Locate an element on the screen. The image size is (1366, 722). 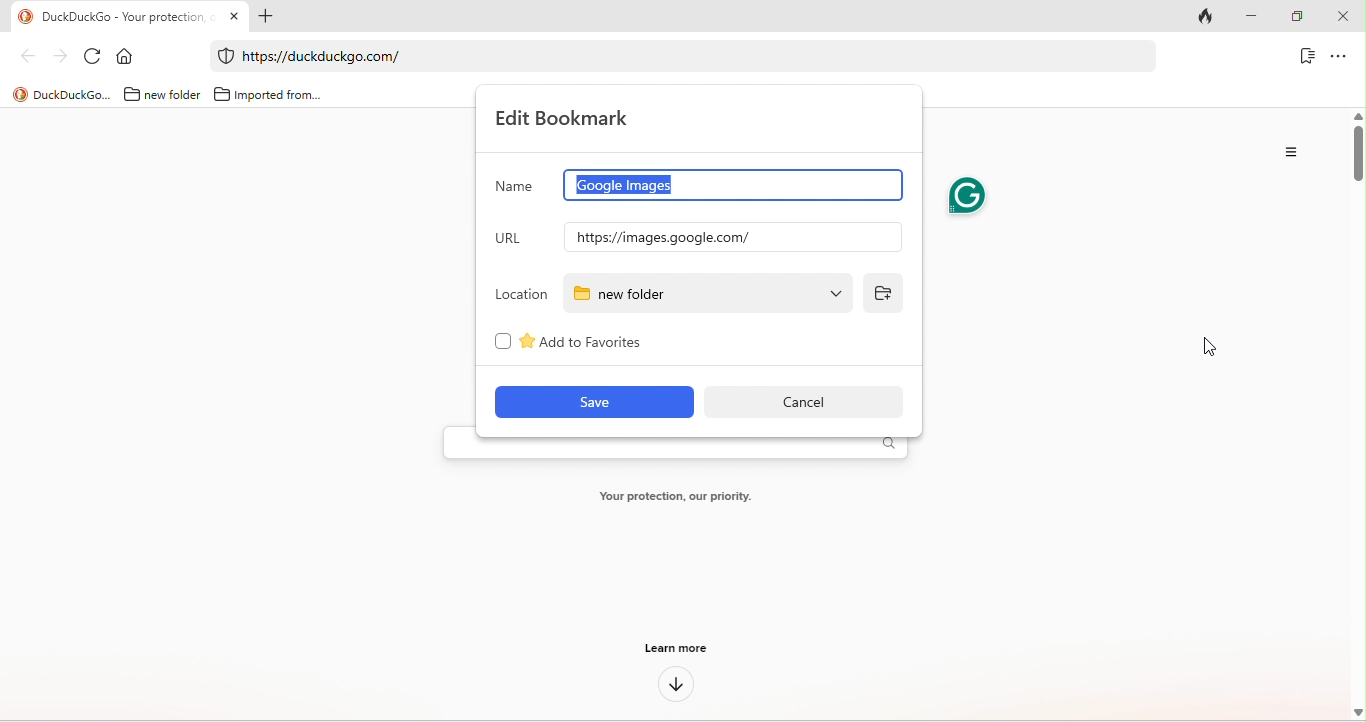
option is located at coordinates (1288, 155).